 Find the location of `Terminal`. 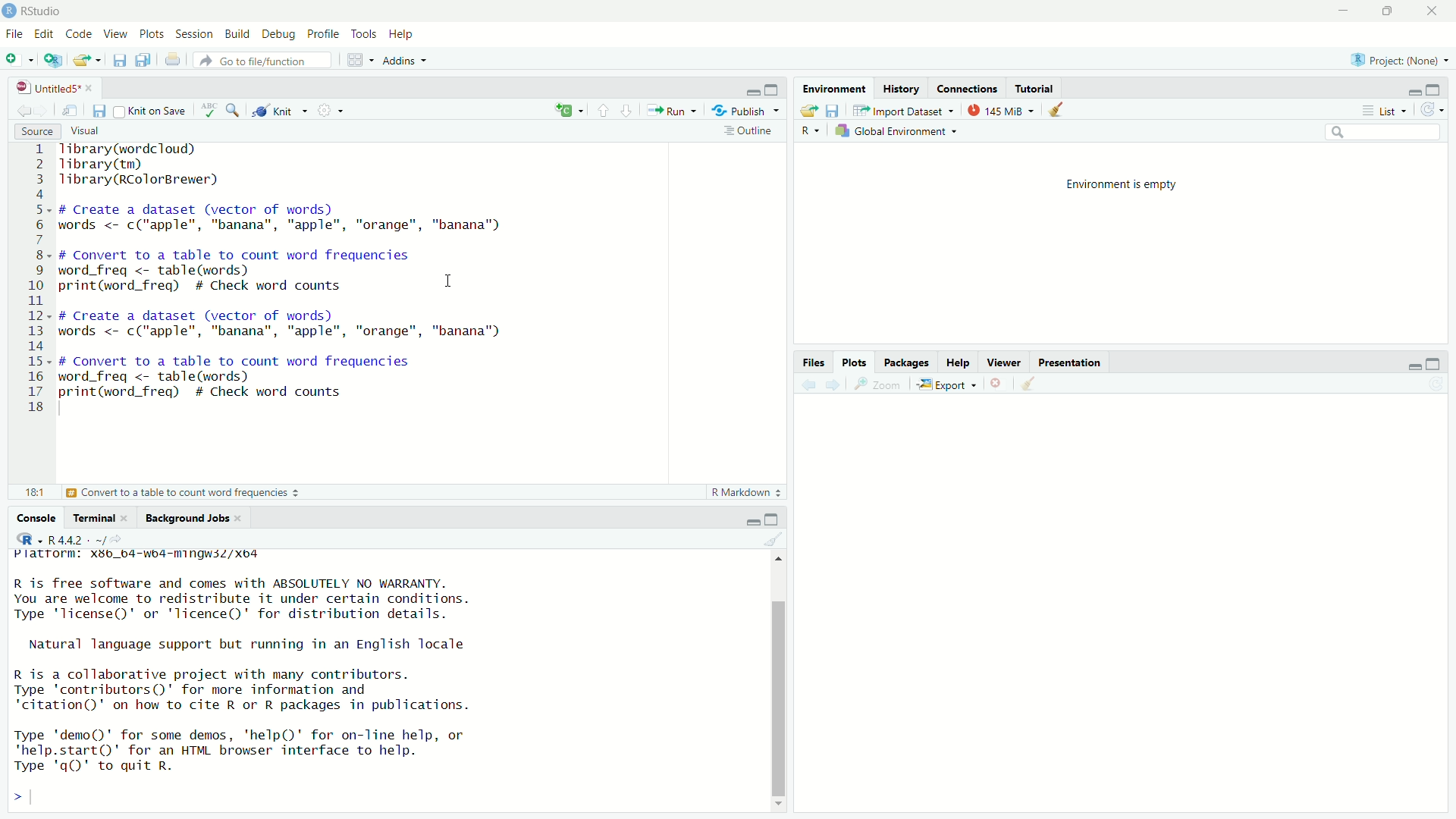

Terminal is located at coordinates (104, 518).